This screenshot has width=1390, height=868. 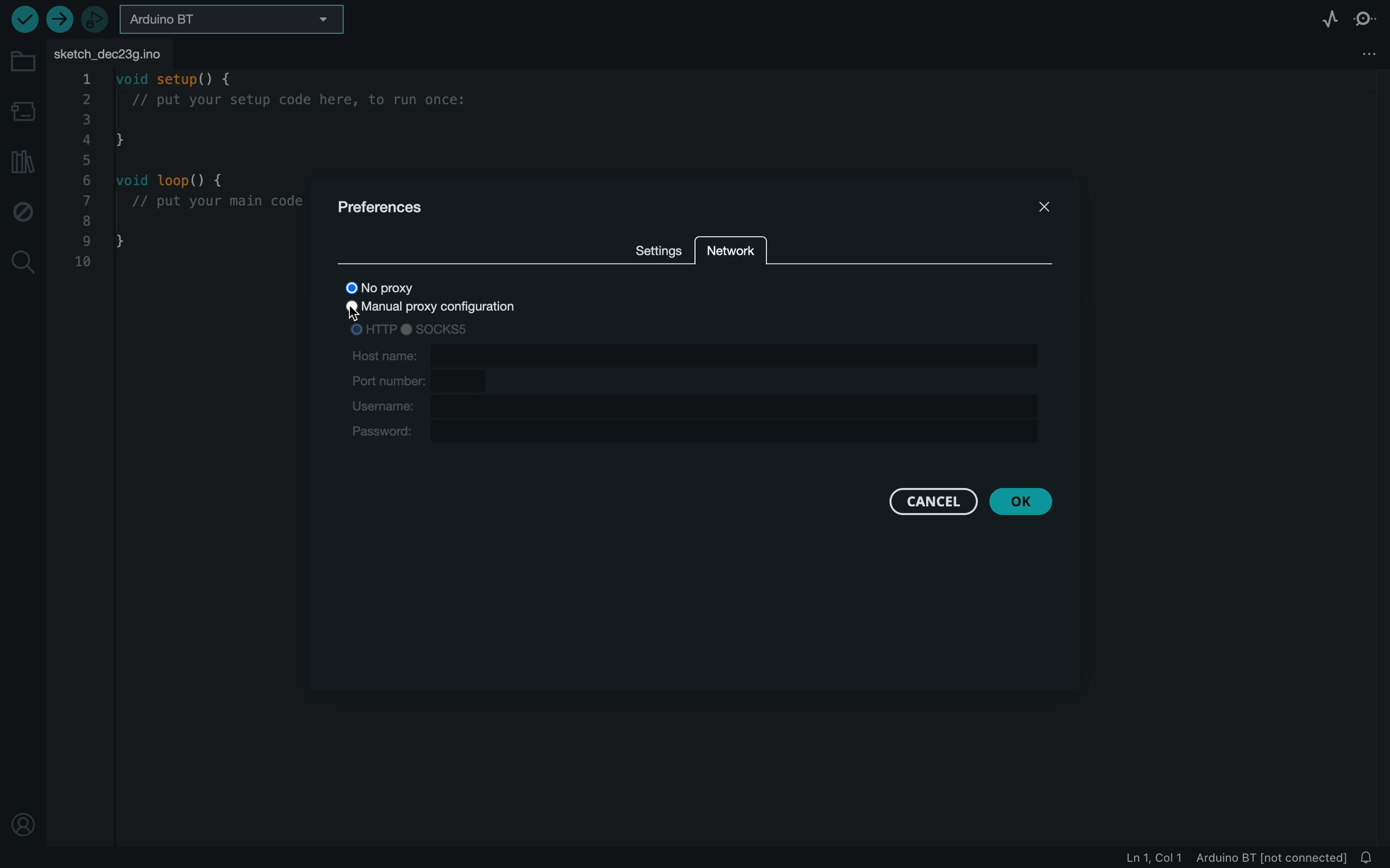 I want to click on username, so click(x=691, y=408).